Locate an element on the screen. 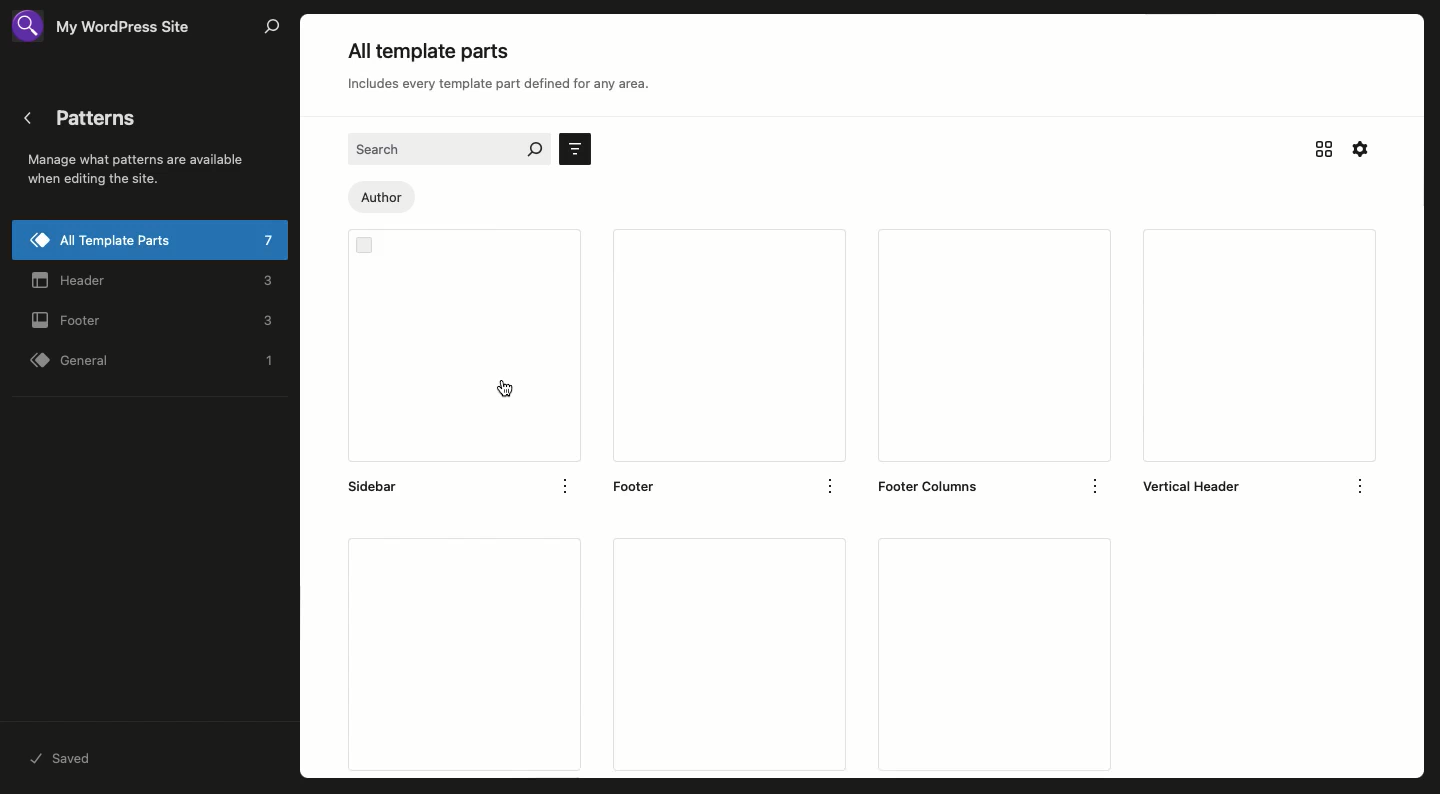 This screenshot has height=794, width=1440. Patterns is located at coordinates (137, 169).